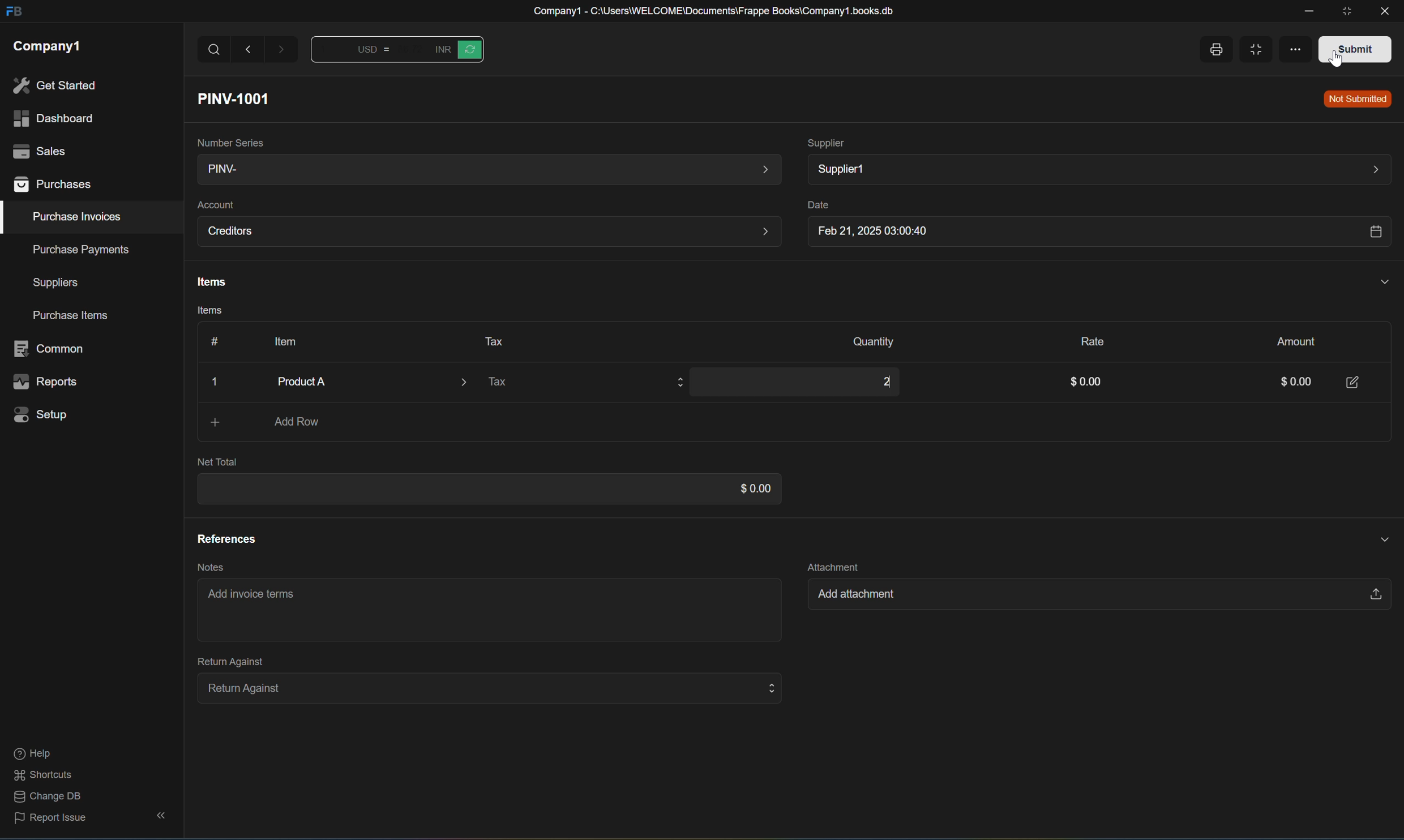  Describe the element at coordinates (299, 423) in the screenshot. I see `Add Row` at that location.